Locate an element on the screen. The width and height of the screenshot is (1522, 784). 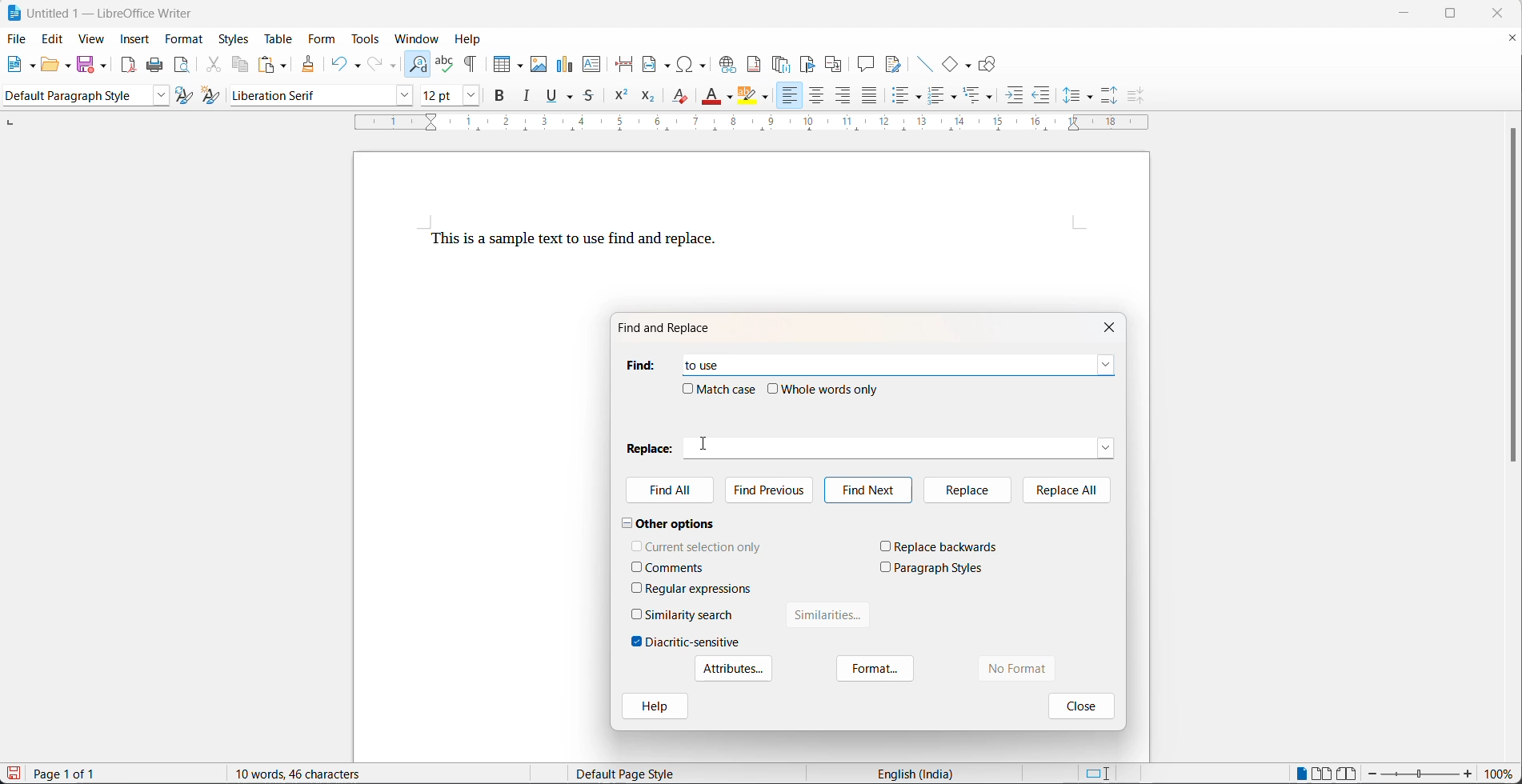
to use is located at coordinates (708, 362).